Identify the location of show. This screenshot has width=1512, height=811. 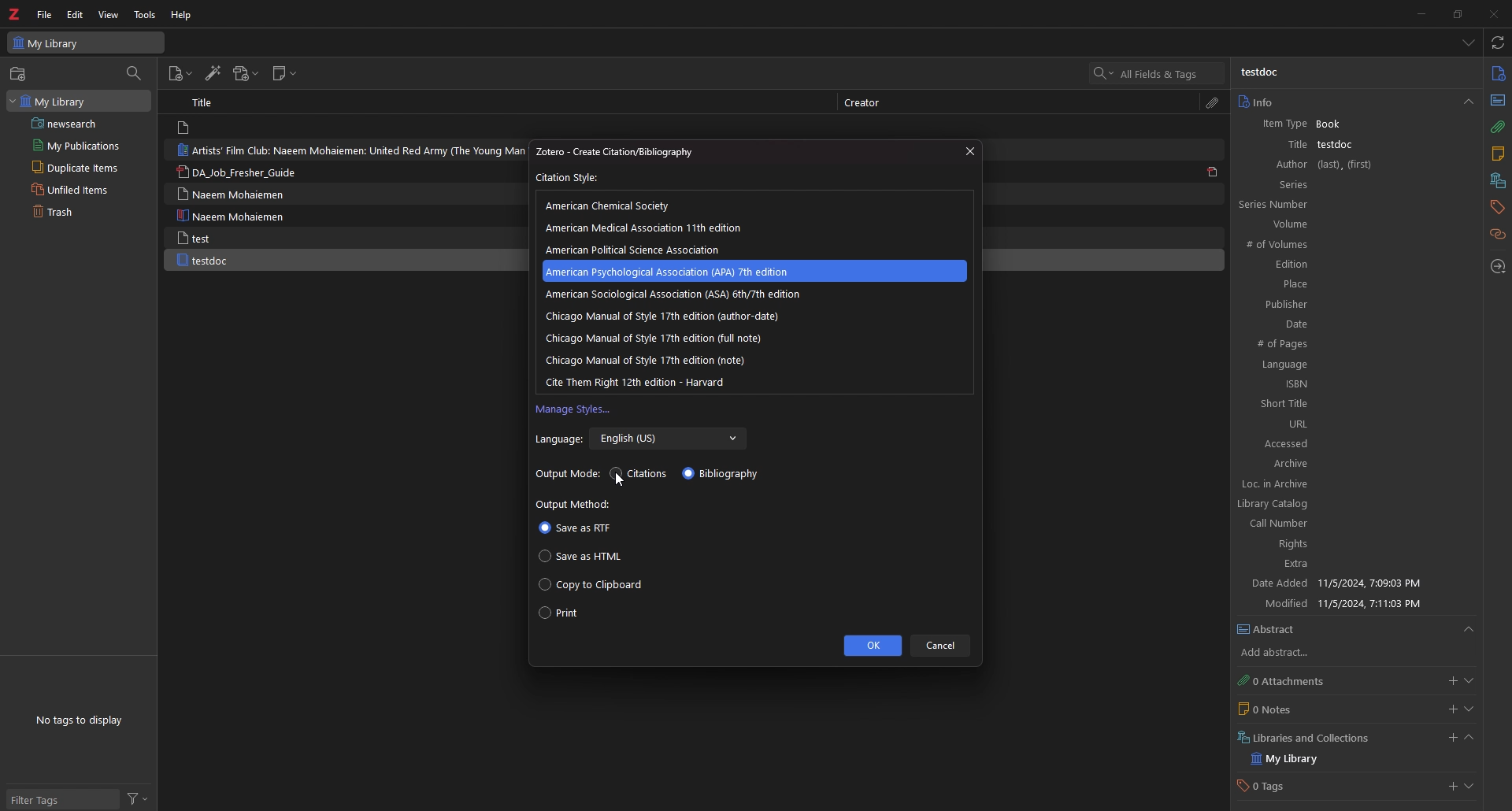
(1469, 681).